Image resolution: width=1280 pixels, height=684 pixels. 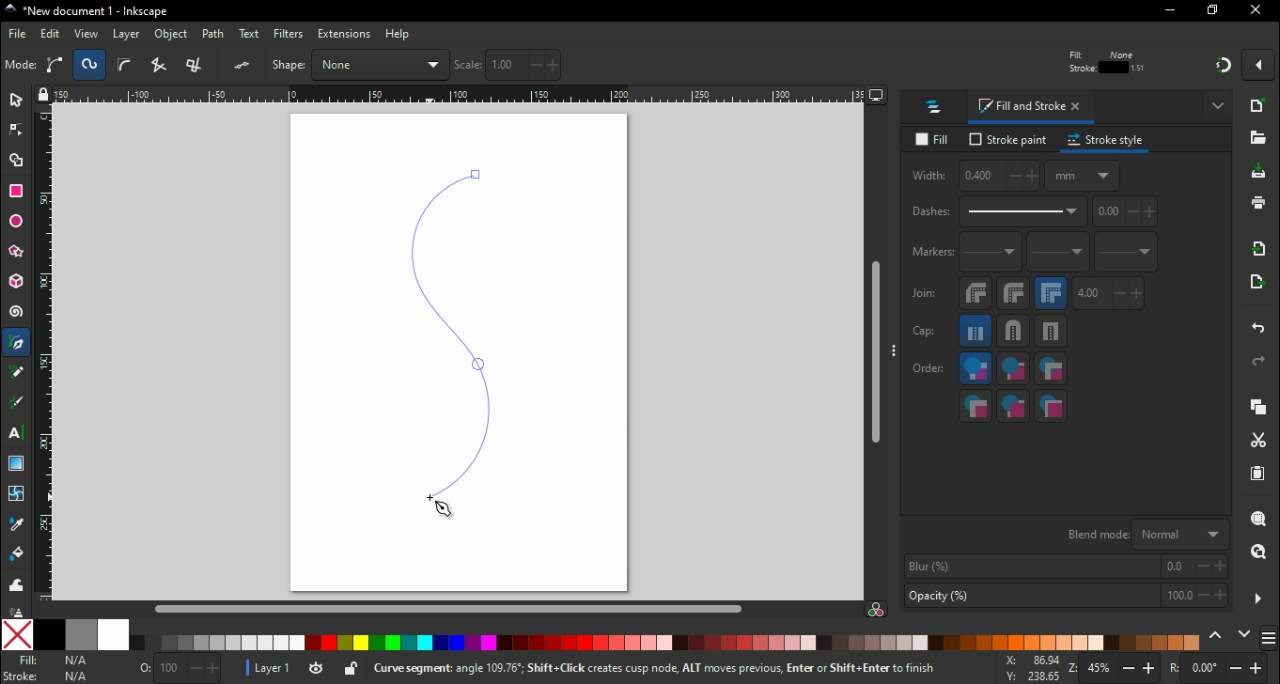 What do you see at coordinates (16, 404) in the screenshot?
I see `calligraphy tool` at bounding box center [16, 404].